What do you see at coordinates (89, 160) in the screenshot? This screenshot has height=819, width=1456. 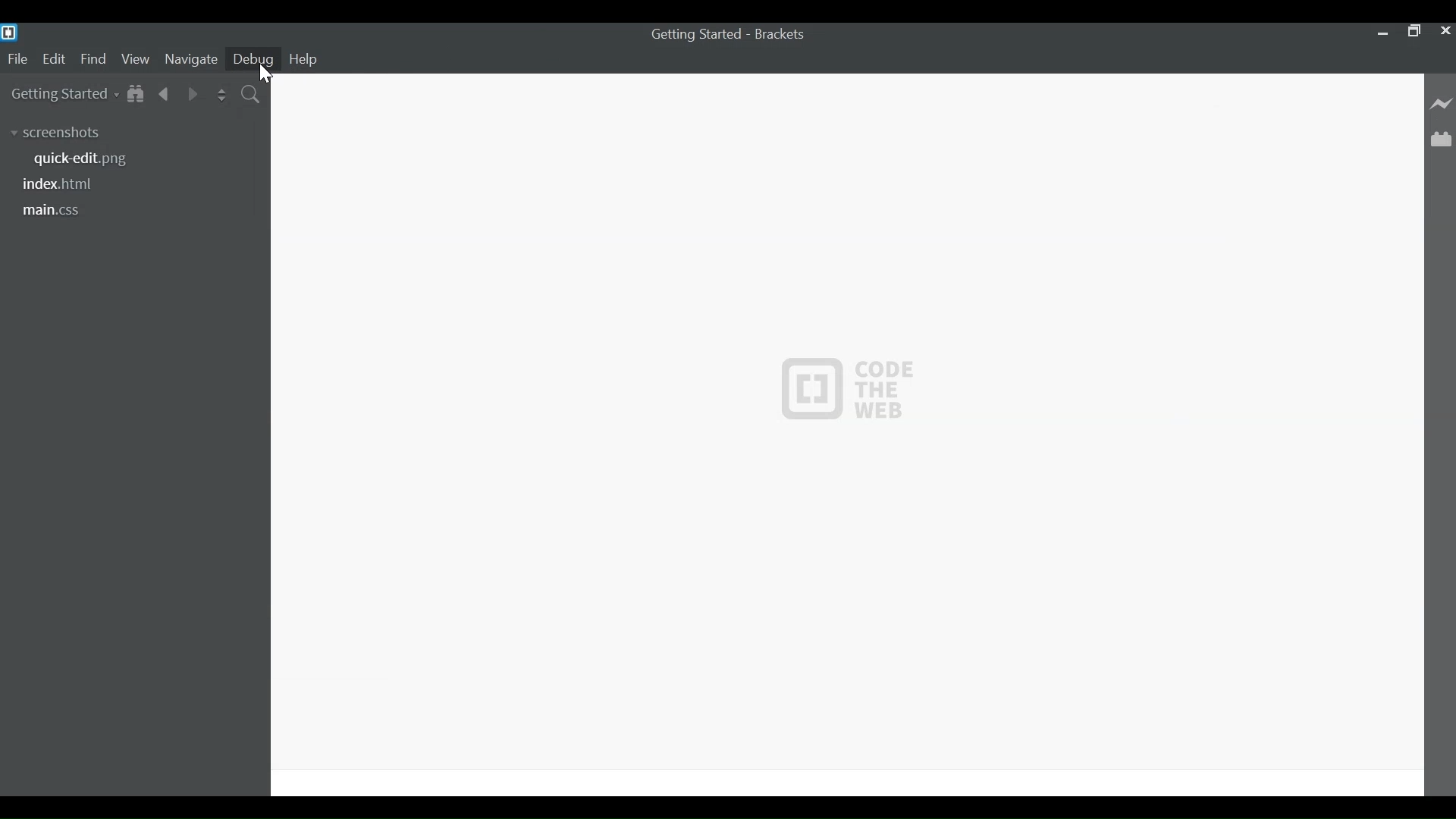 I see `quick-edit.png file` at bounding box center [89, 160].